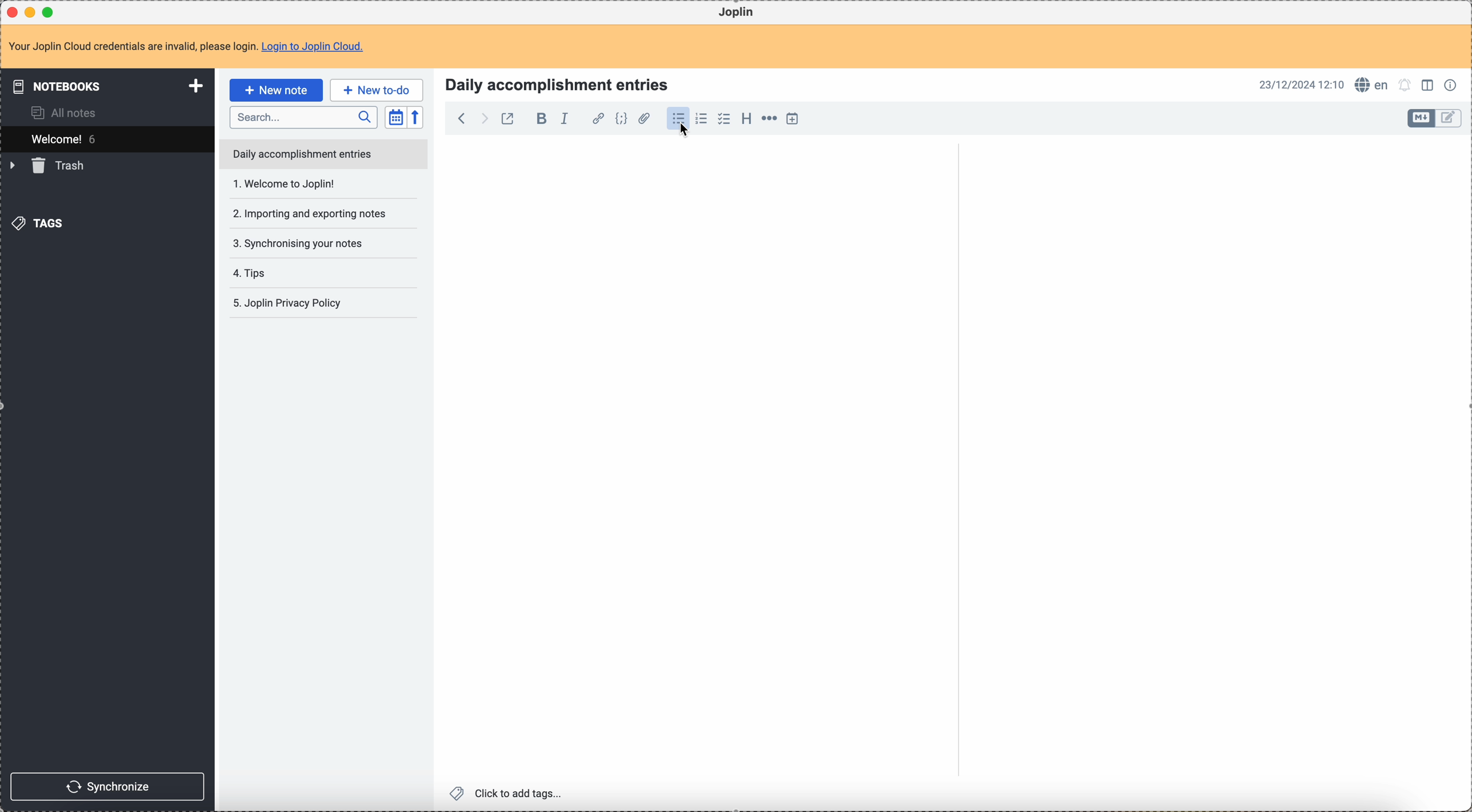  What do you see at coordinates (107, 785) in the screenshot?
I see `synchronize` at bounding box center [107, 785].